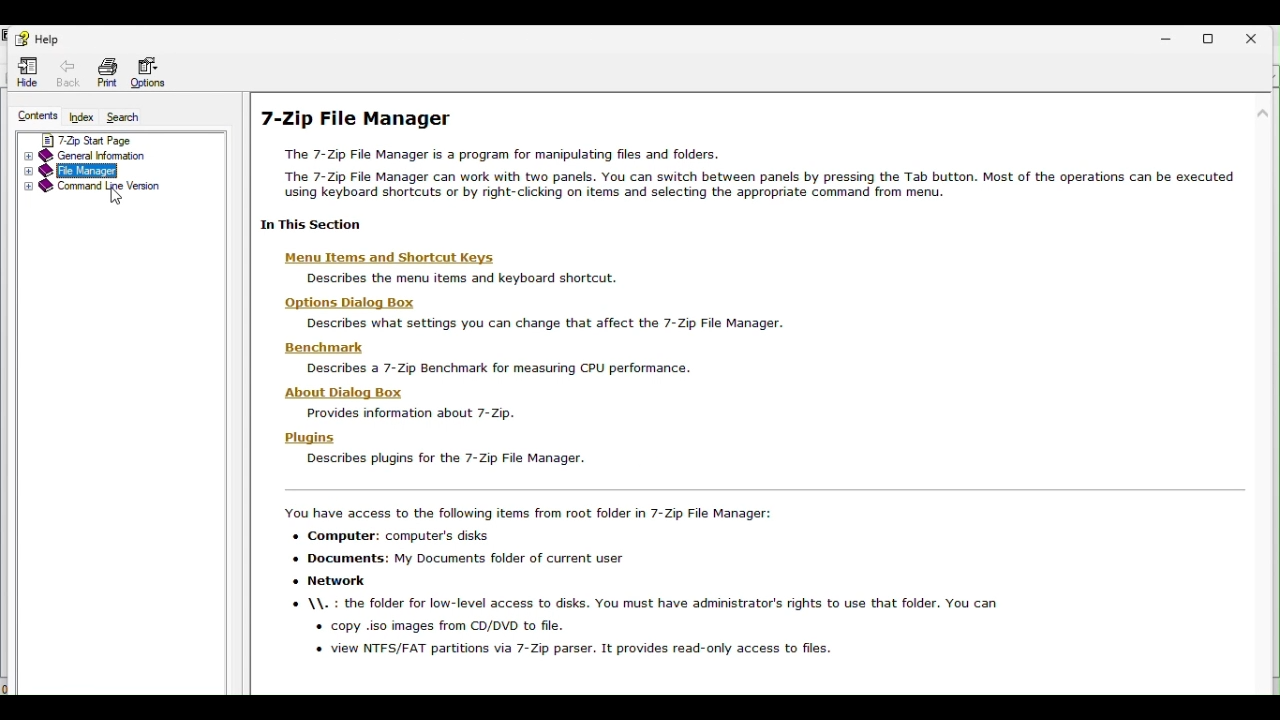 This screenshot has width=1280, height=720. I want to click on Contents, so click(35, 116).